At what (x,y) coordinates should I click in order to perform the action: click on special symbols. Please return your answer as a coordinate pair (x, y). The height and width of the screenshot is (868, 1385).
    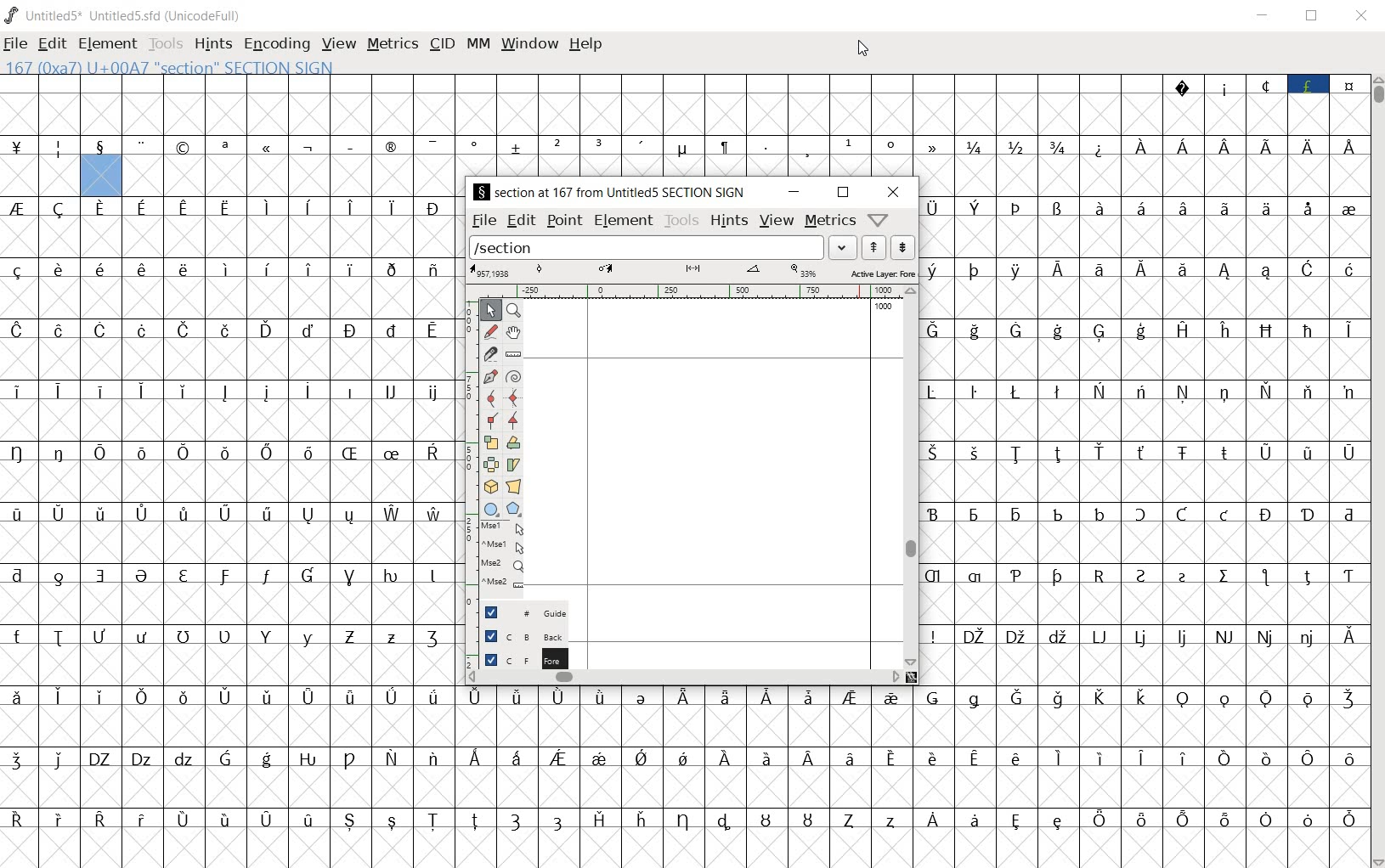
    Looking at the image, I should click on (1263, 82).